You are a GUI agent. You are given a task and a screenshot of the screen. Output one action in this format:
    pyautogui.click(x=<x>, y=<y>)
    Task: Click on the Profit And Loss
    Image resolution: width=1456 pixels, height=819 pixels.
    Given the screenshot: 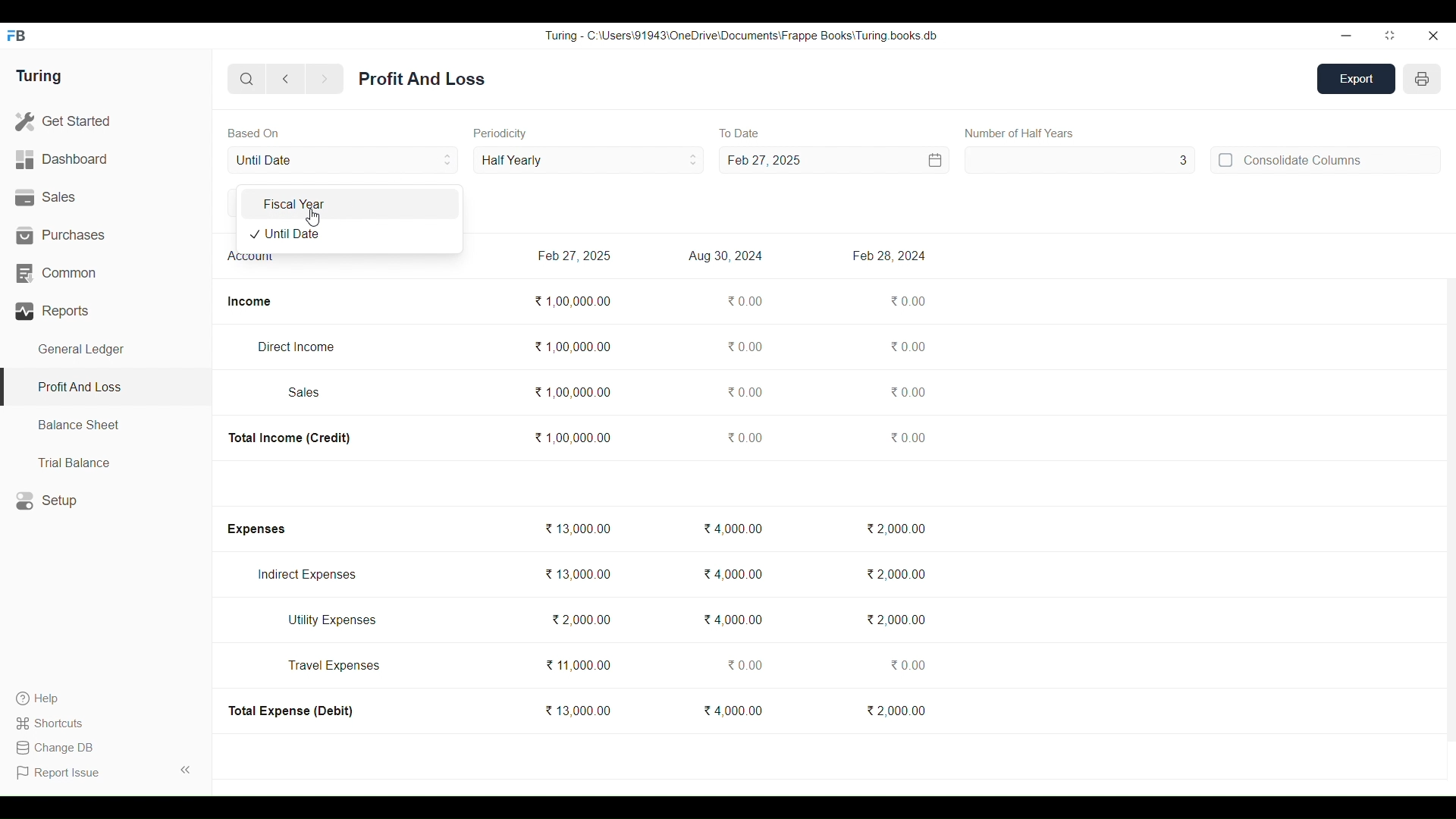 What is the action you would take?
    pyautogui.click(x=422, y=79)
    